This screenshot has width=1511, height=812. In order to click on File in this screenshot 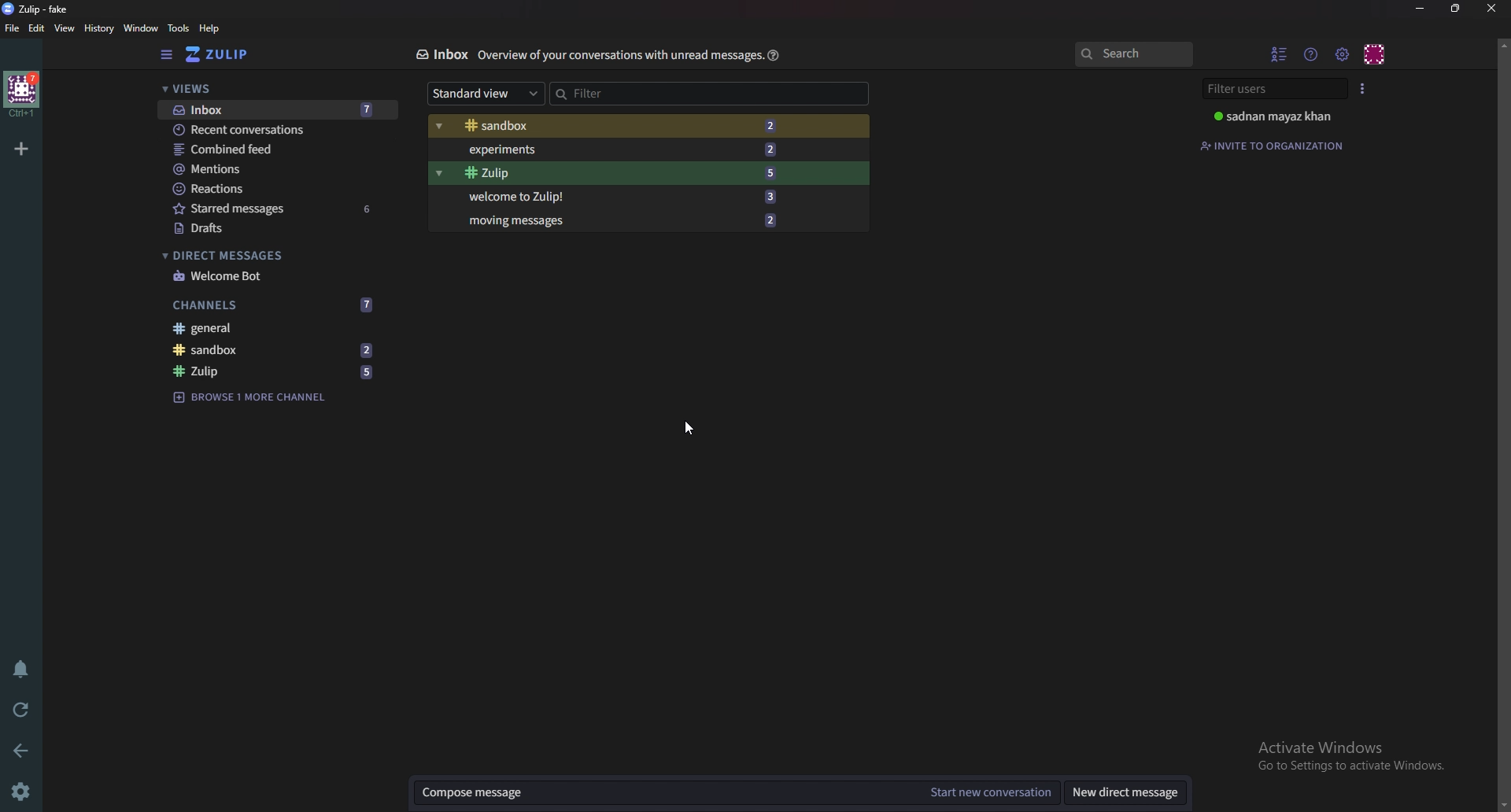, I will do `click(13, 28)`.